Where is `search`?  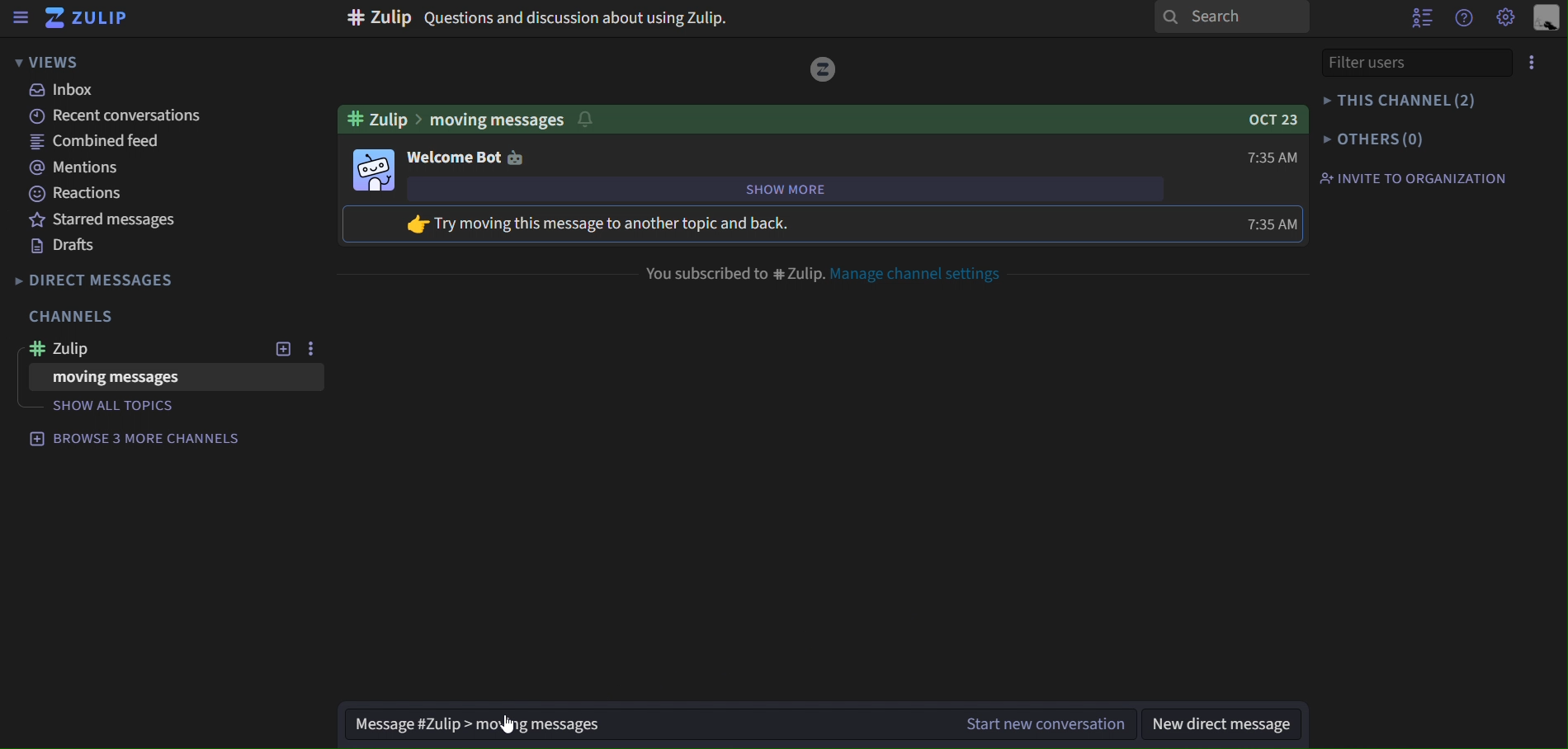 search is located at coordinates (1233, 17).